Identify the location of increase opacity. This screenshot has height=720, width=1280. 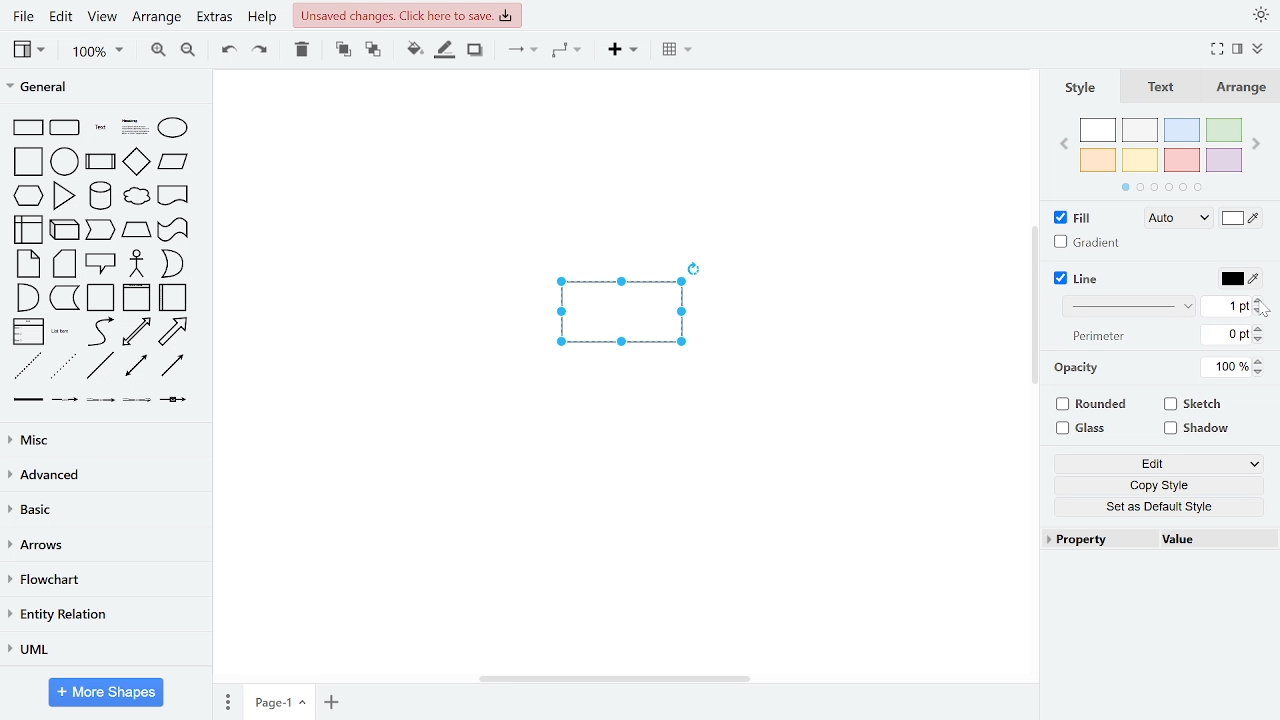
(1259, 362).